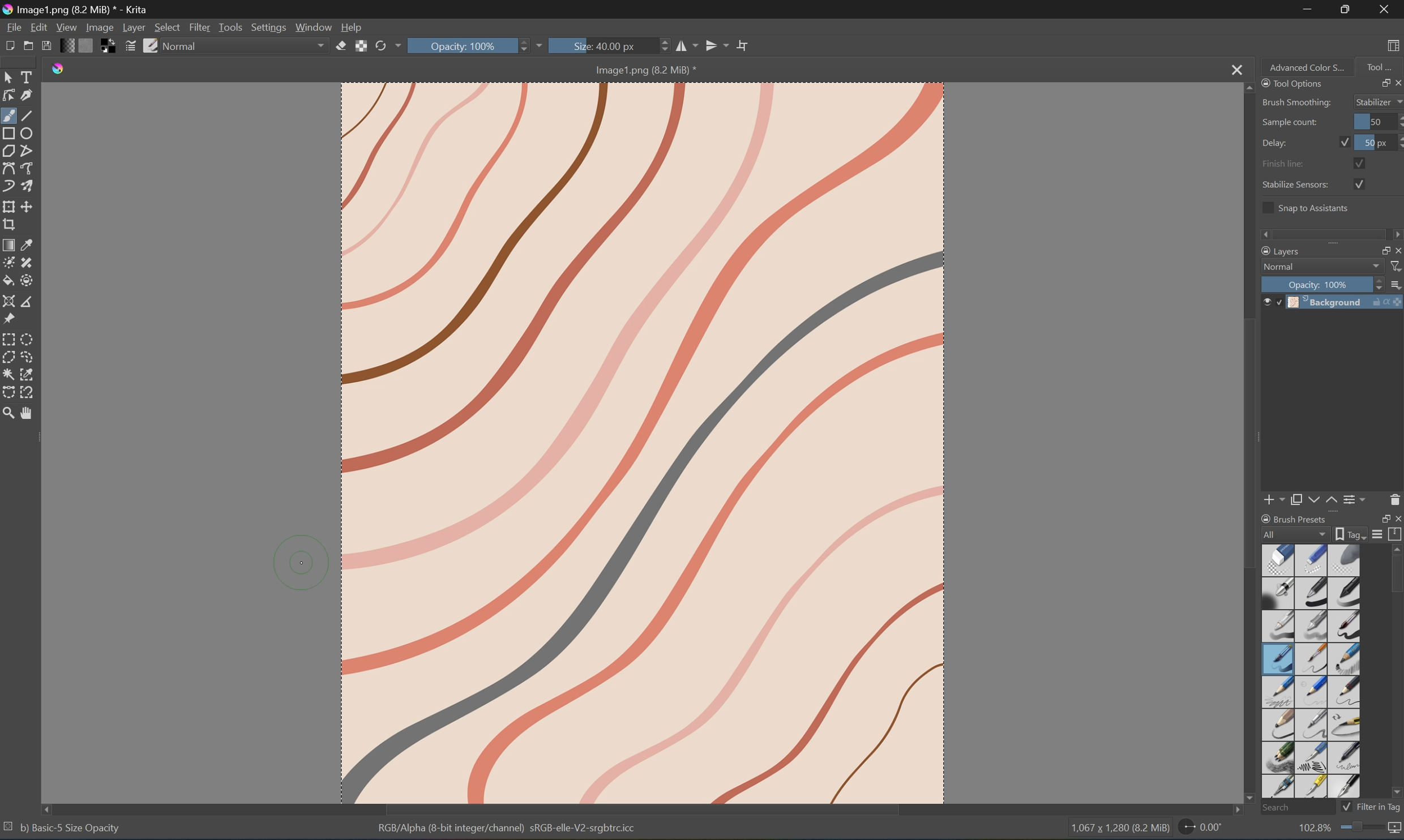 Image resolution: width=1404 pixels, height=840 pixels. What do you see at coordinates (109, 46) in the screenshot?
I see `Swap foreground and background colors to black and white` at bounding box center [109, 46].